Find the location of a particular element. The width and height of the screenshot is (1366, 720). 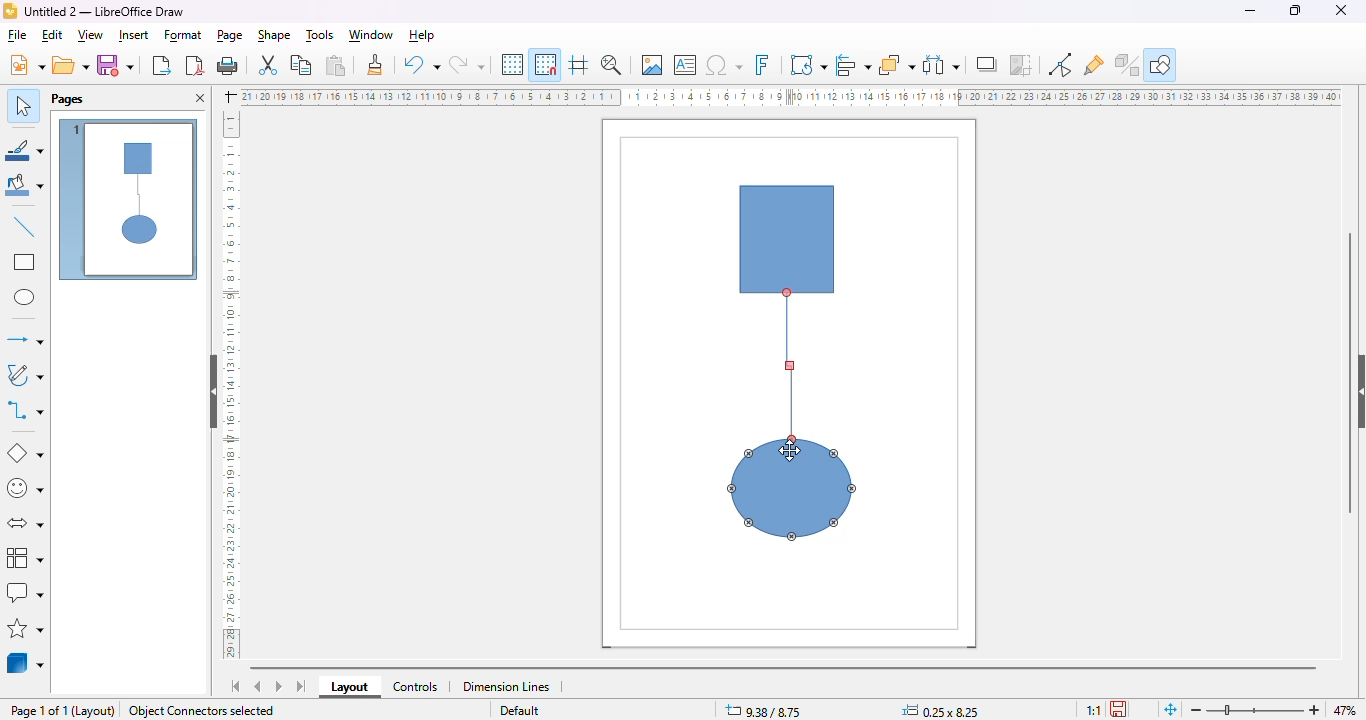

flowchart is located at coordinates (25, 557).